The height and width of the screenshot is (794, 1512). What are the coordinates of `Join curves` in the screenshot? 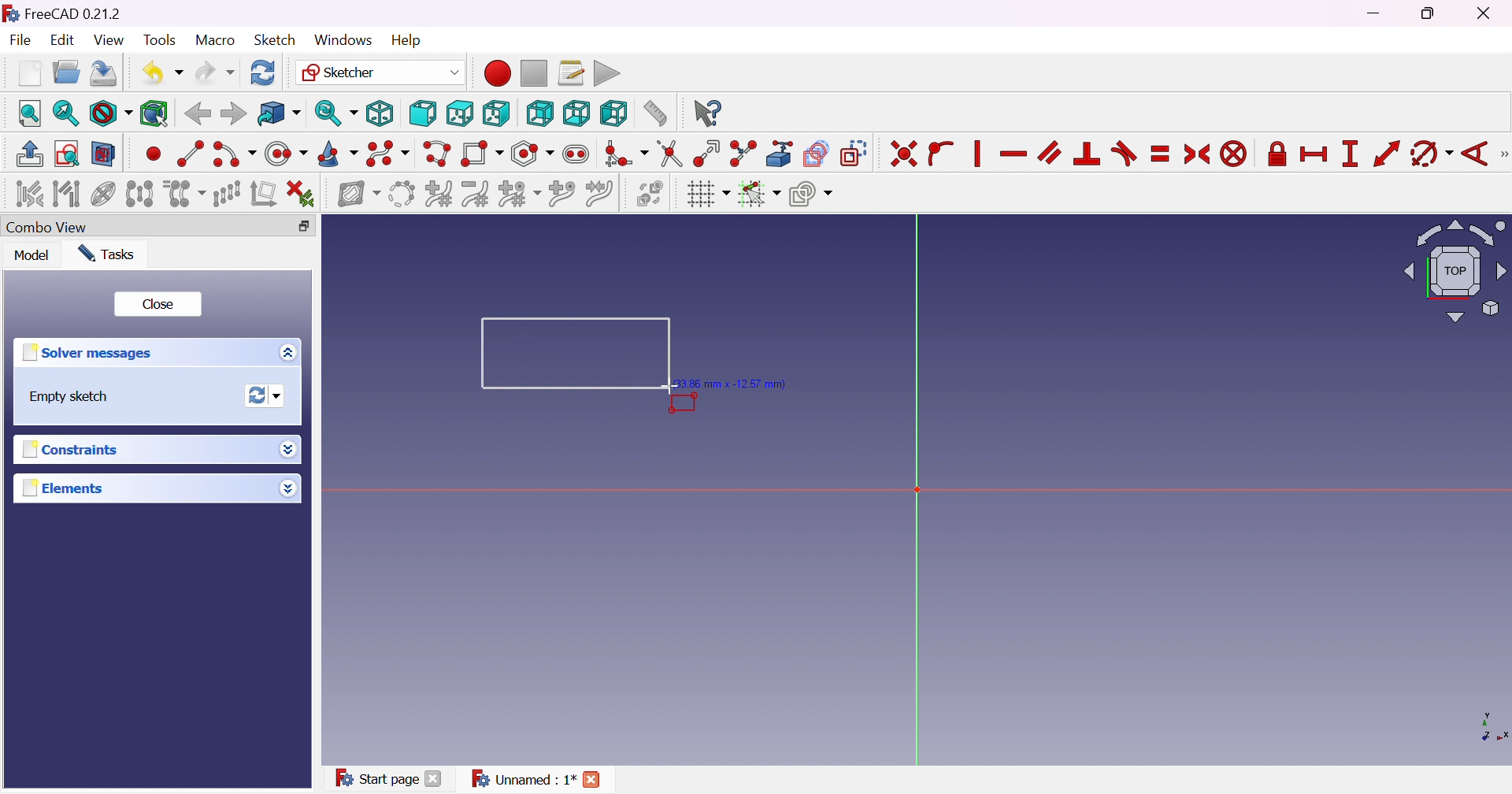 It's located at (598, 194).